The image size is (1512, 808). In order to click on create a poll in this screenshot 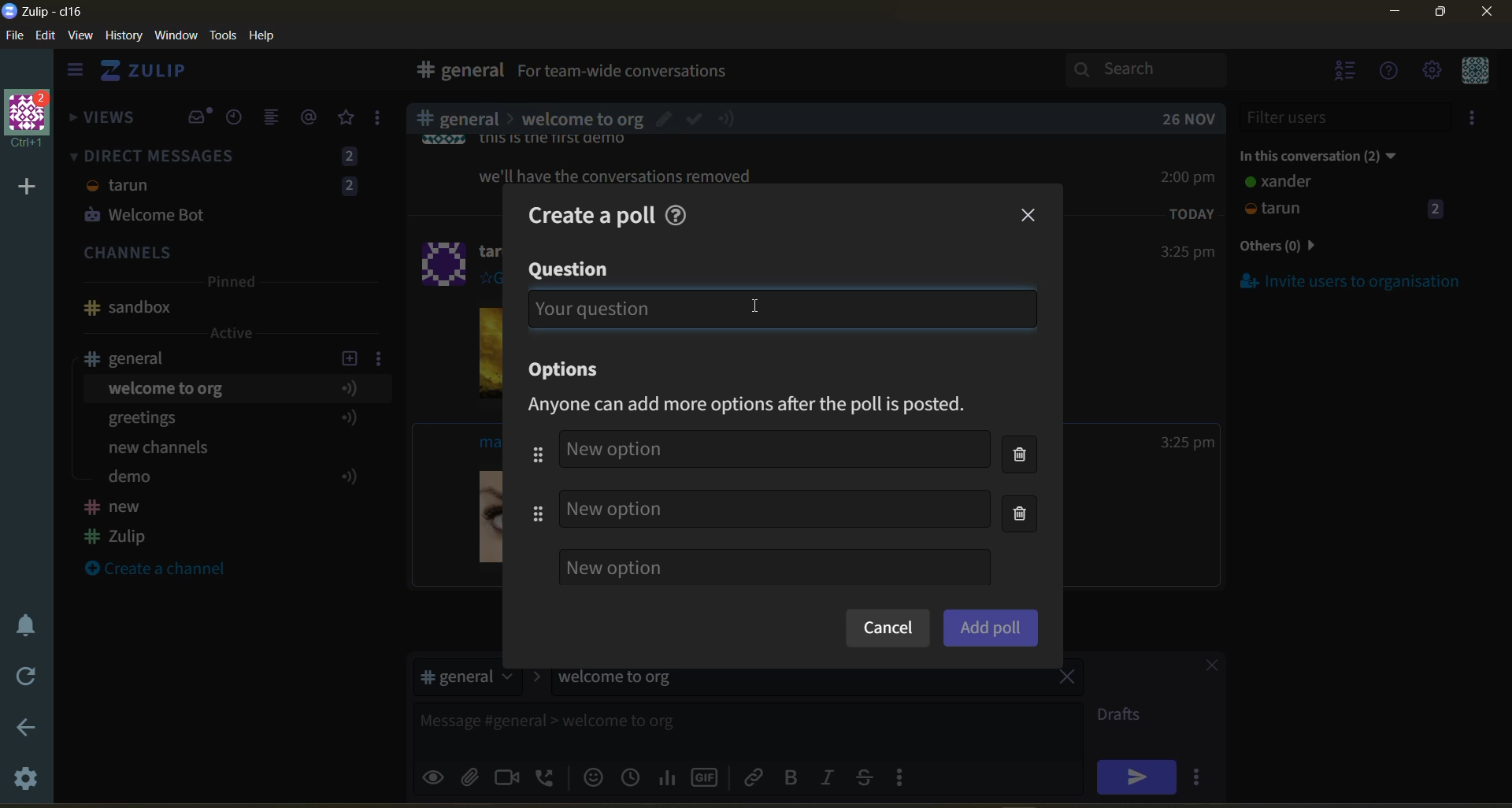, I will do `click(582, 210)`.